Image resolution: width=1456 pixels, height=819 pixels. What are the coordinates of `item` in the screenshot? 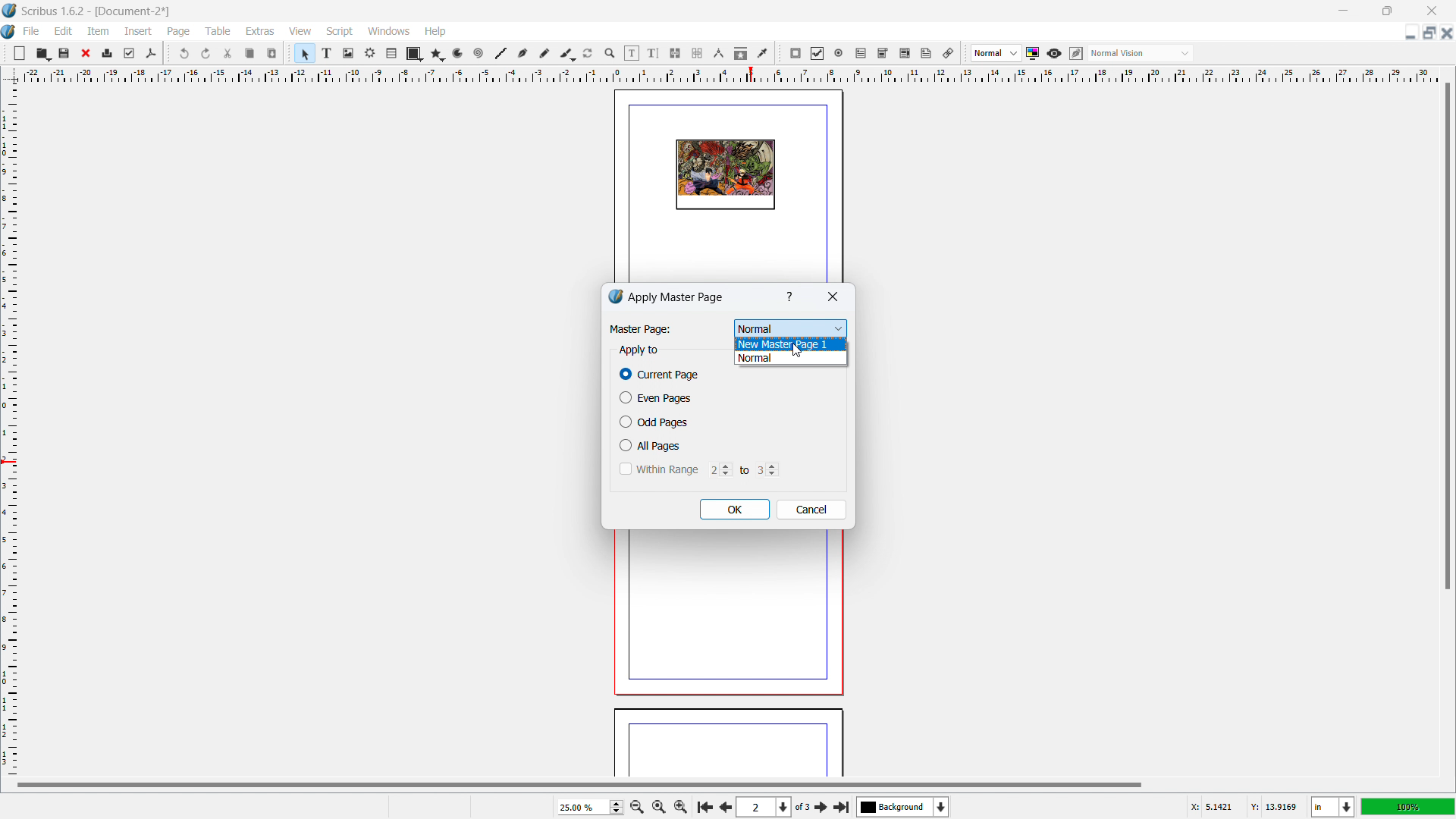 It's located at (99, 30).